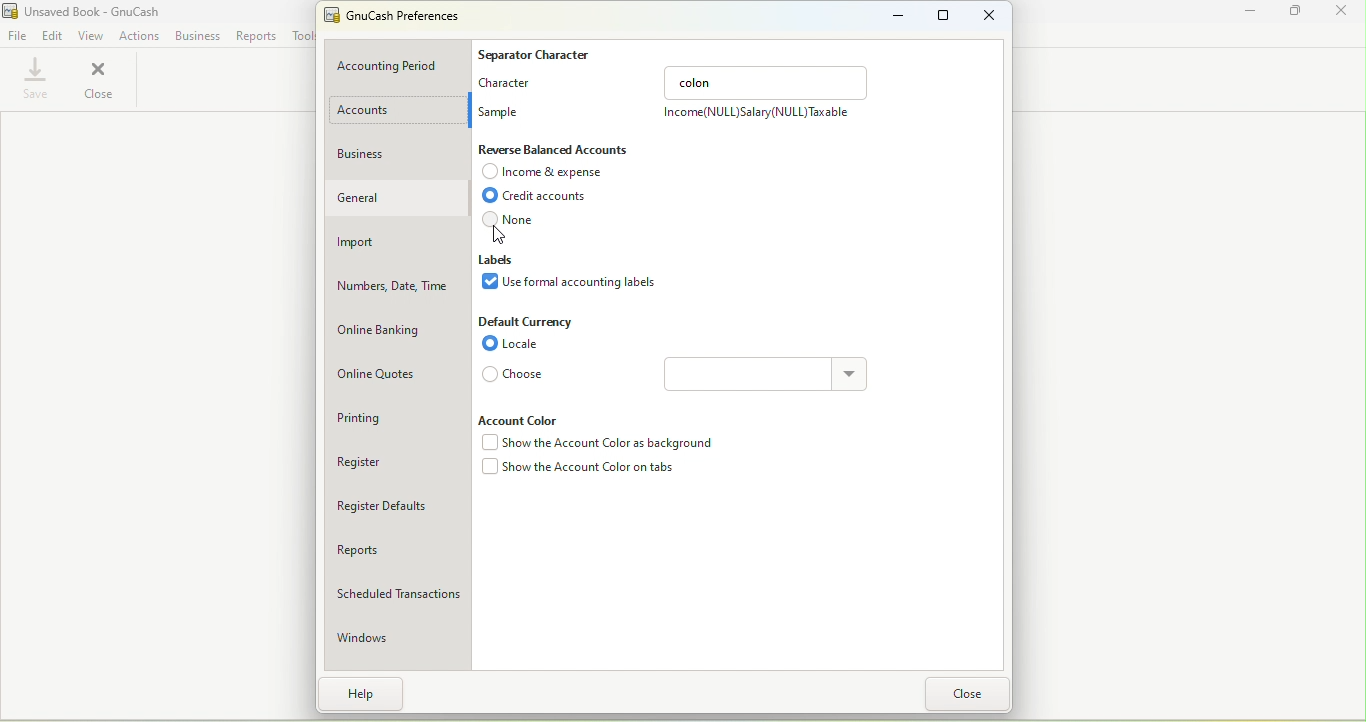 The height and width of the screenshot is (722, 1366). I want to click on colon, so click(767, 81).